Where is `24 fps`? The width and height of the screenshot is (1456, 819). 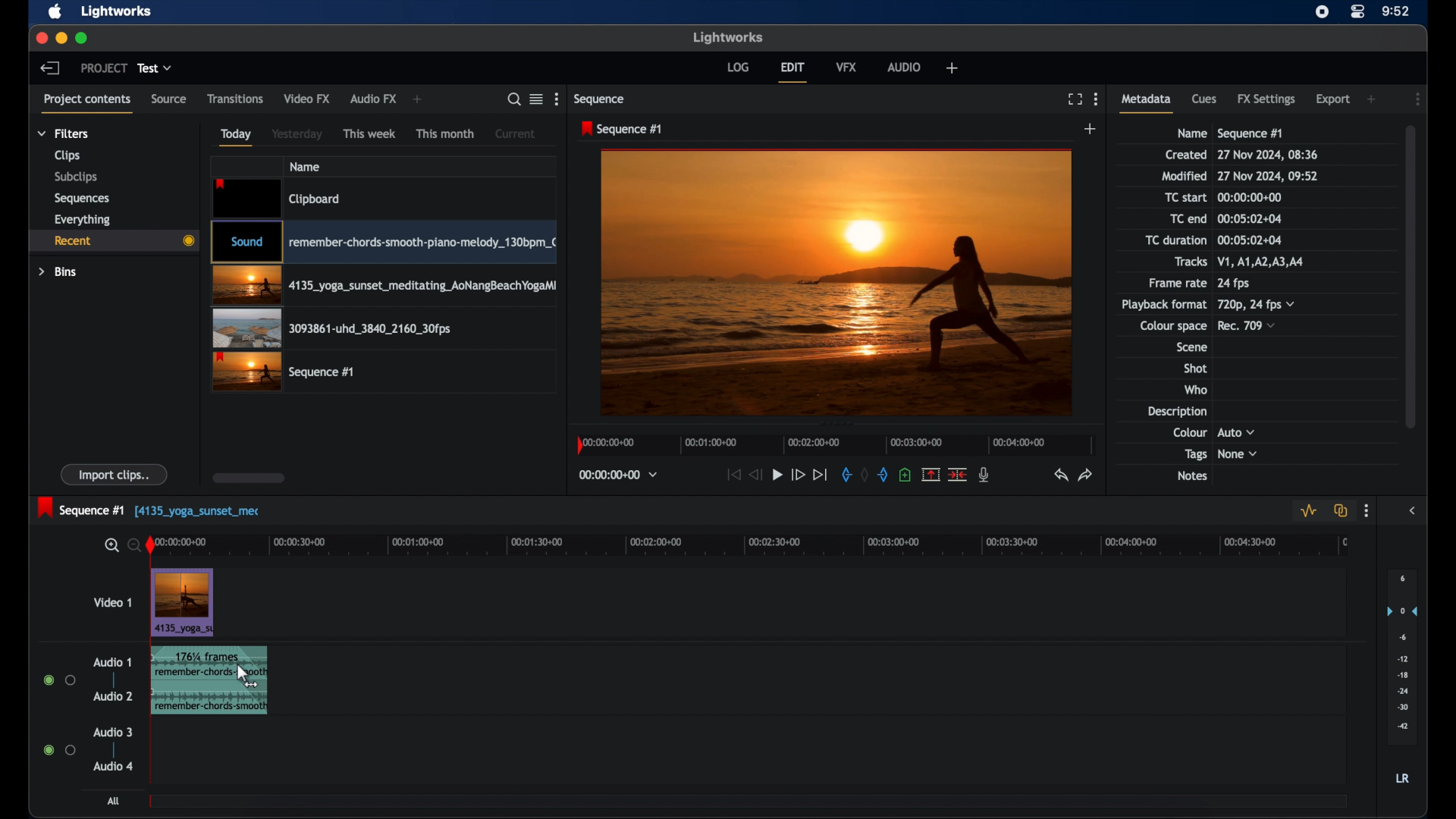
24 fps is located at coordinates (1234, 284).